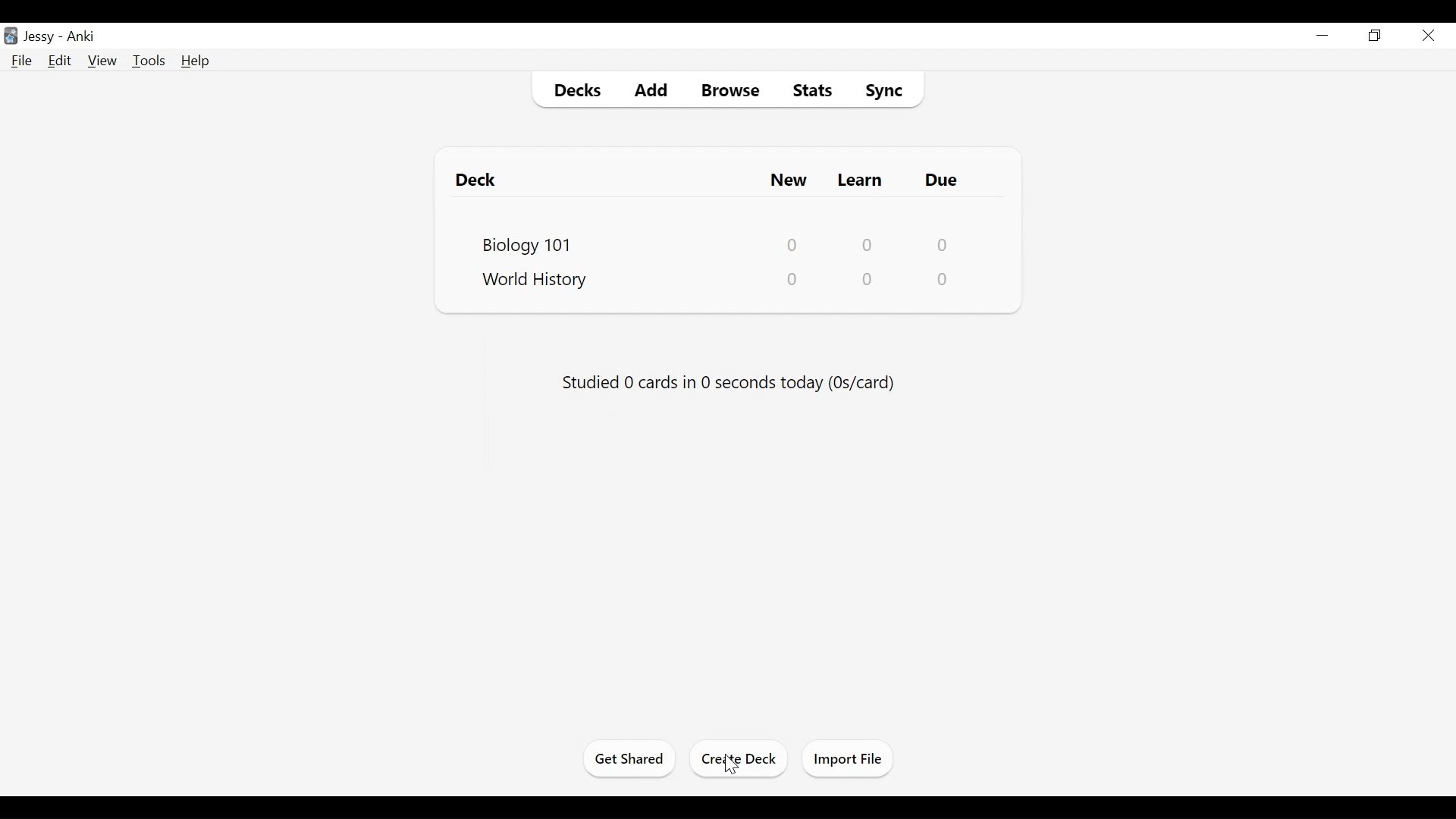 The image size is (1456, 819). I want to click on New Card Count, so click(792, 281).